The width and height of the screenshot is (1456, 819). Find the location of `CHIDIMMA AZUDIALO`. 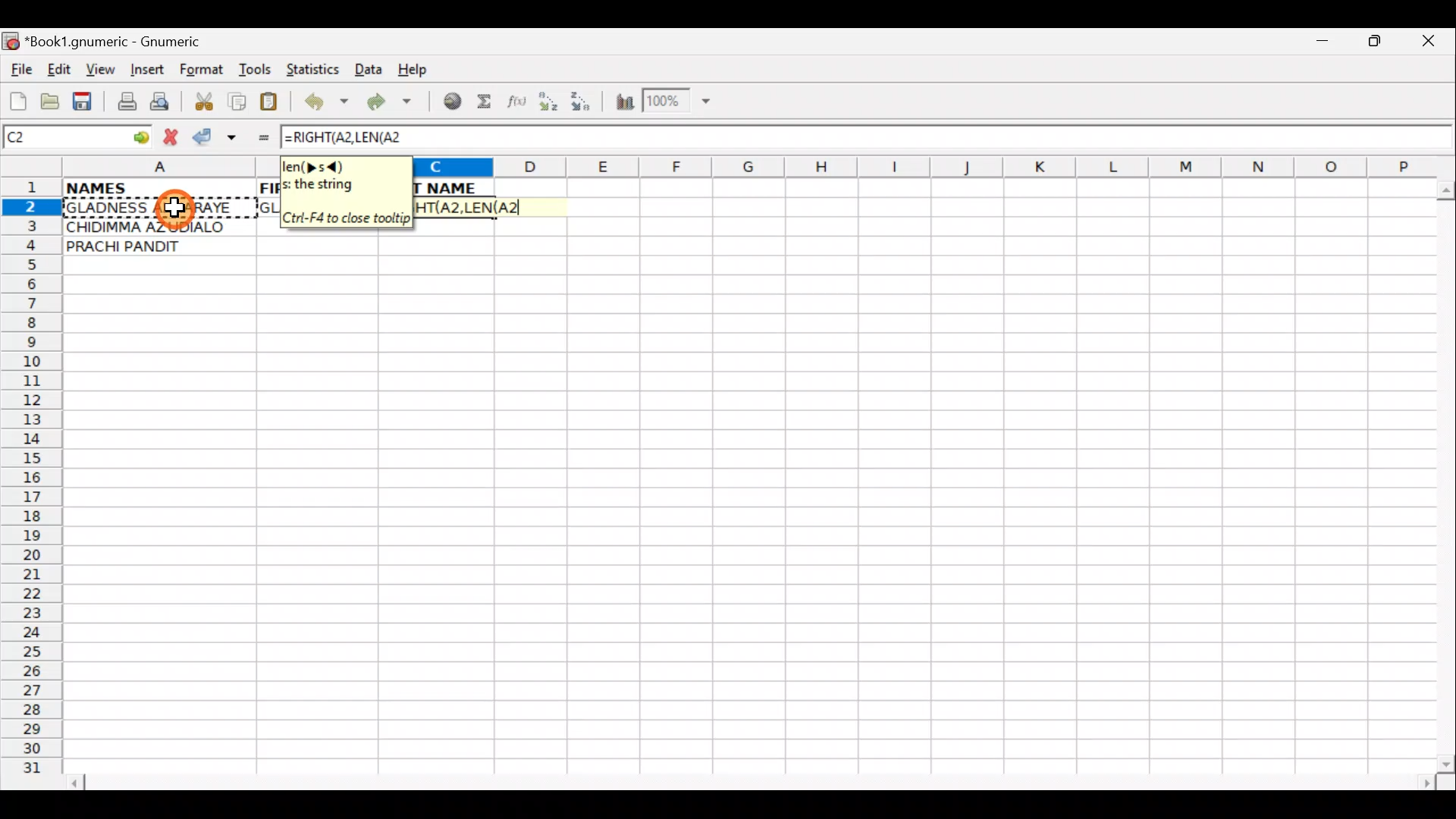

CHIDIMMA AZUDIALO is located at coordinates (150, 225).